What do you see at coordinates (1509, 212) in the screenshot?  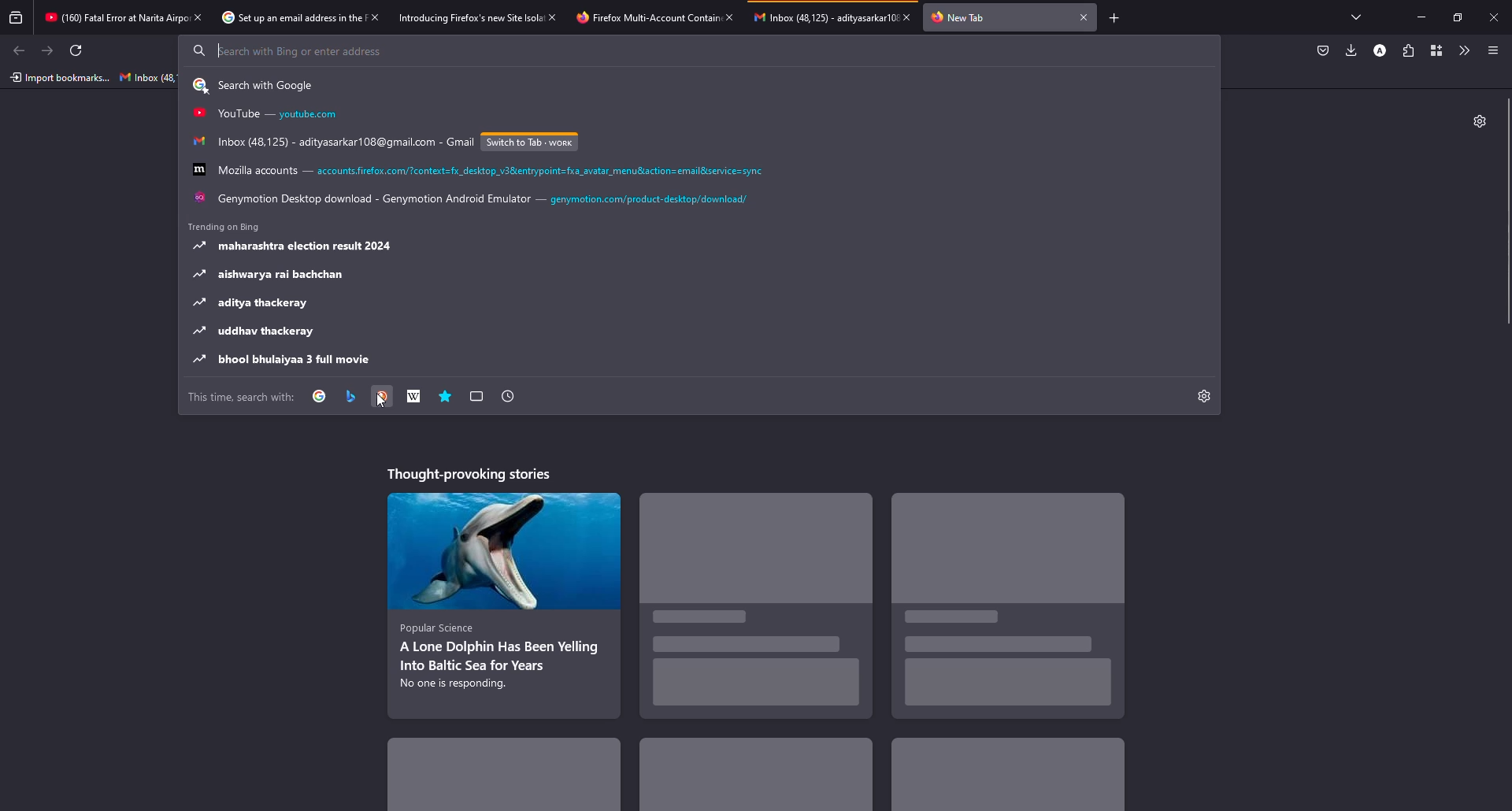 I see `scroll bar` at bounding box center [1509, 212].